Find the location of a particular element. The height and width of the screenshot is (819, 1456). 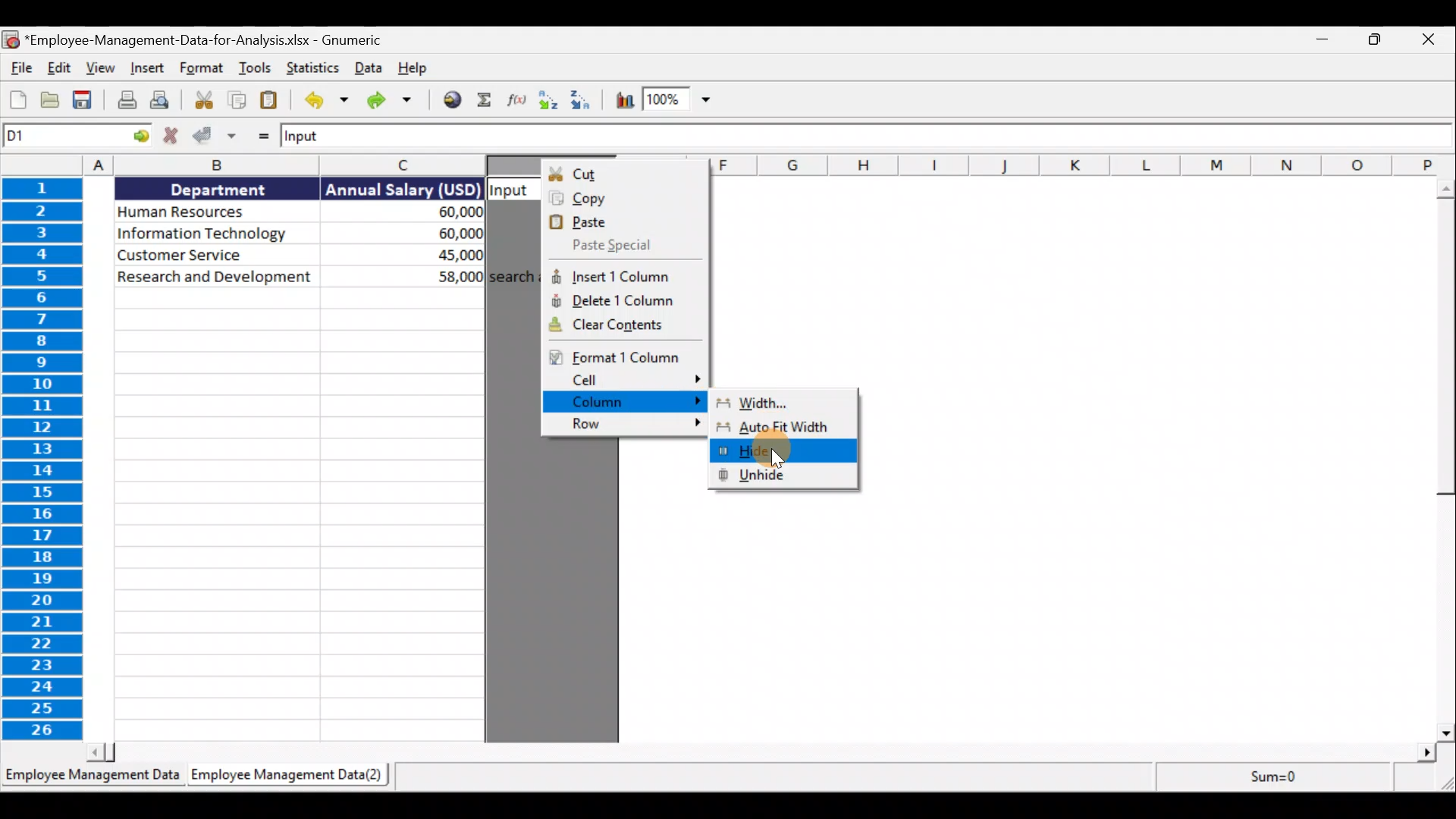

Width is located at coordinates (776, 406).